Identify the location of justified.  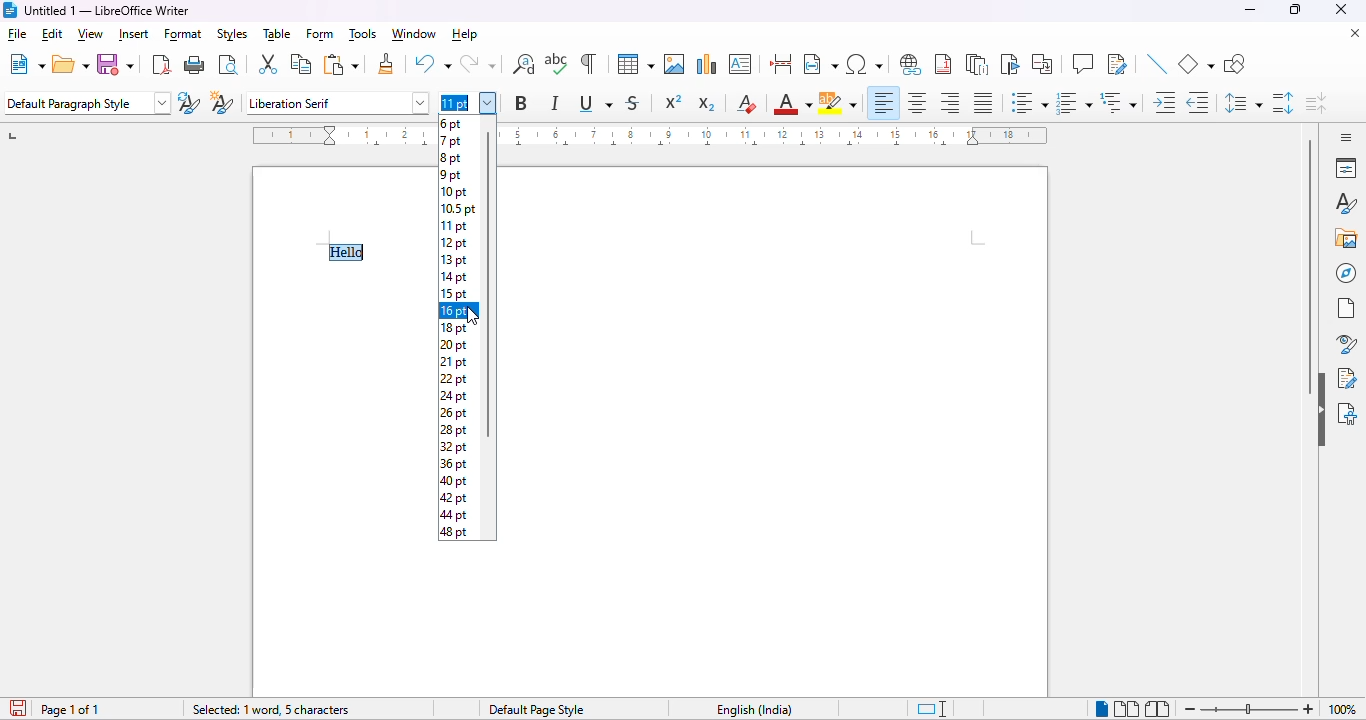
(984, 103).